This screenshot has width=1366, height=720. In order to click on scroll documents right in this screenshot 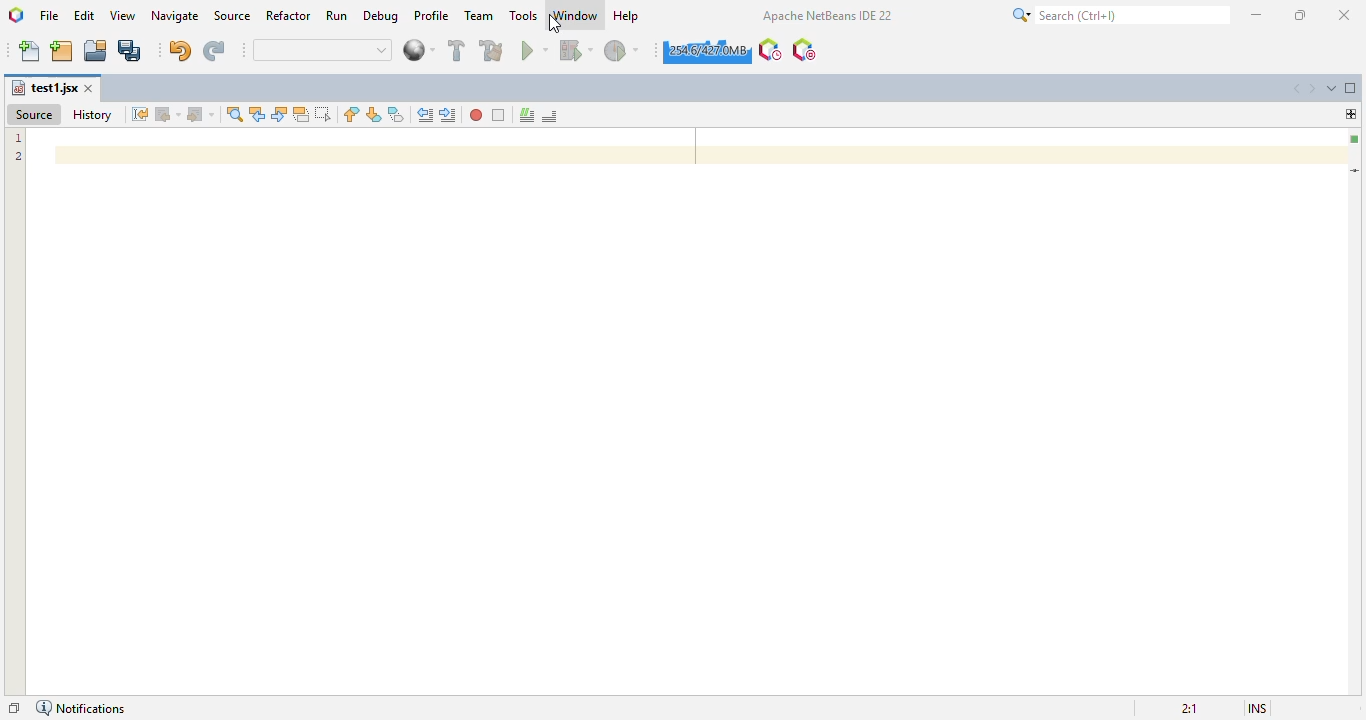, I will do `click(1315, 89)`.